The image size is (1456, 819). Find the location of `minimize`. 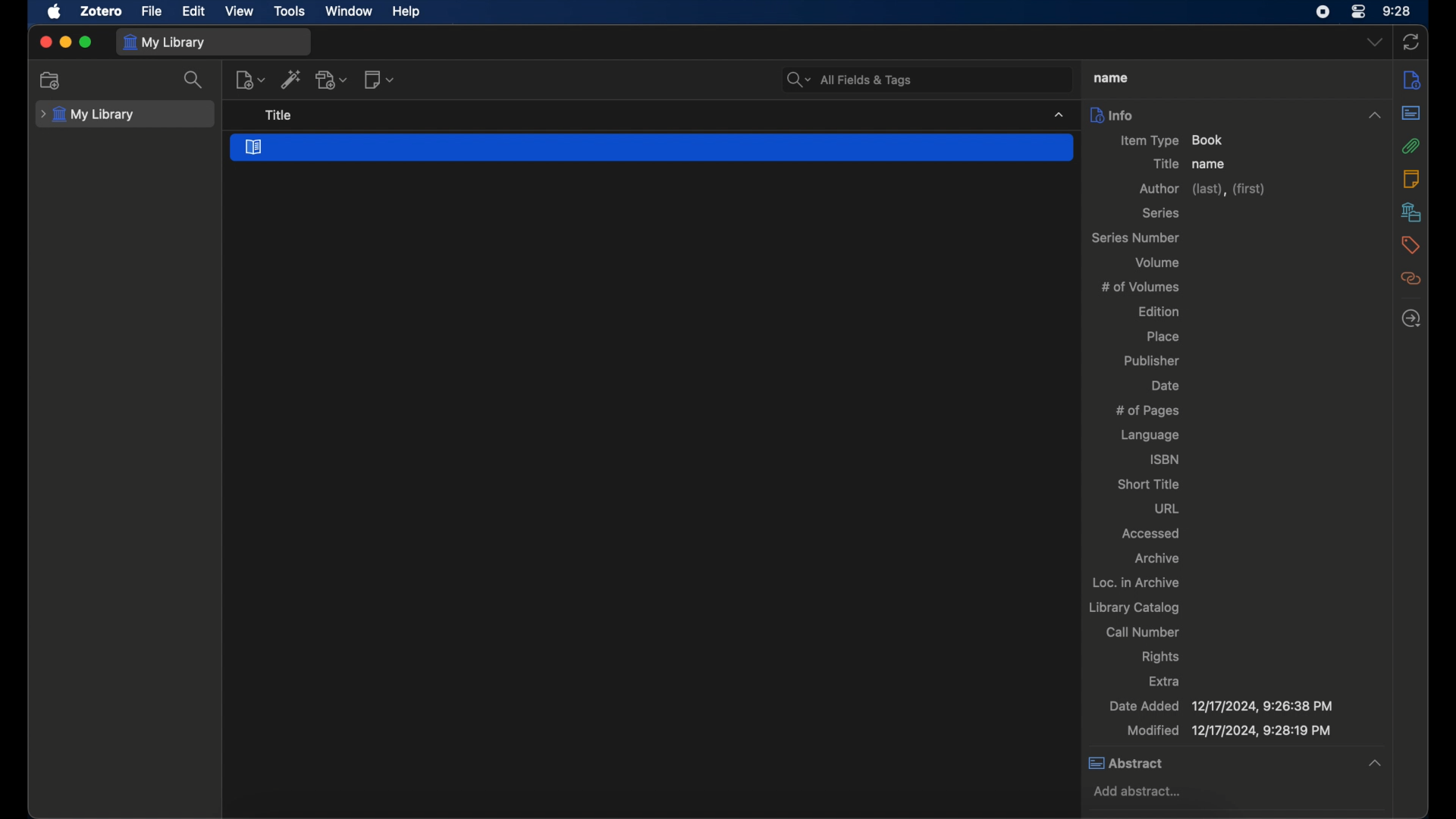

minimize is located at coordinates (65, 42).